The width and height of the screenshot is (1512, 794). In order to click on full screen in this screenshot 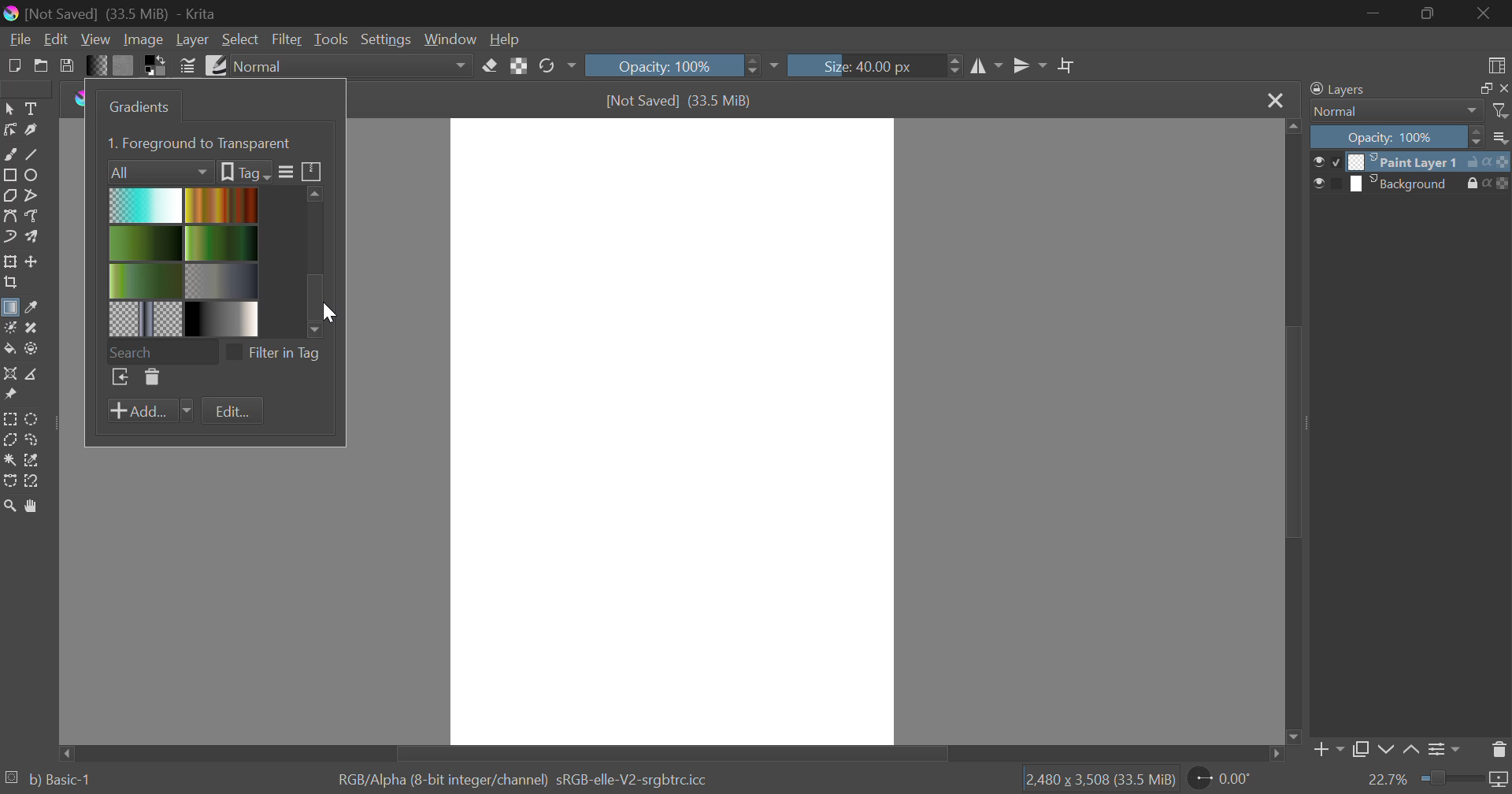, I will do `click(1481, 89)`.